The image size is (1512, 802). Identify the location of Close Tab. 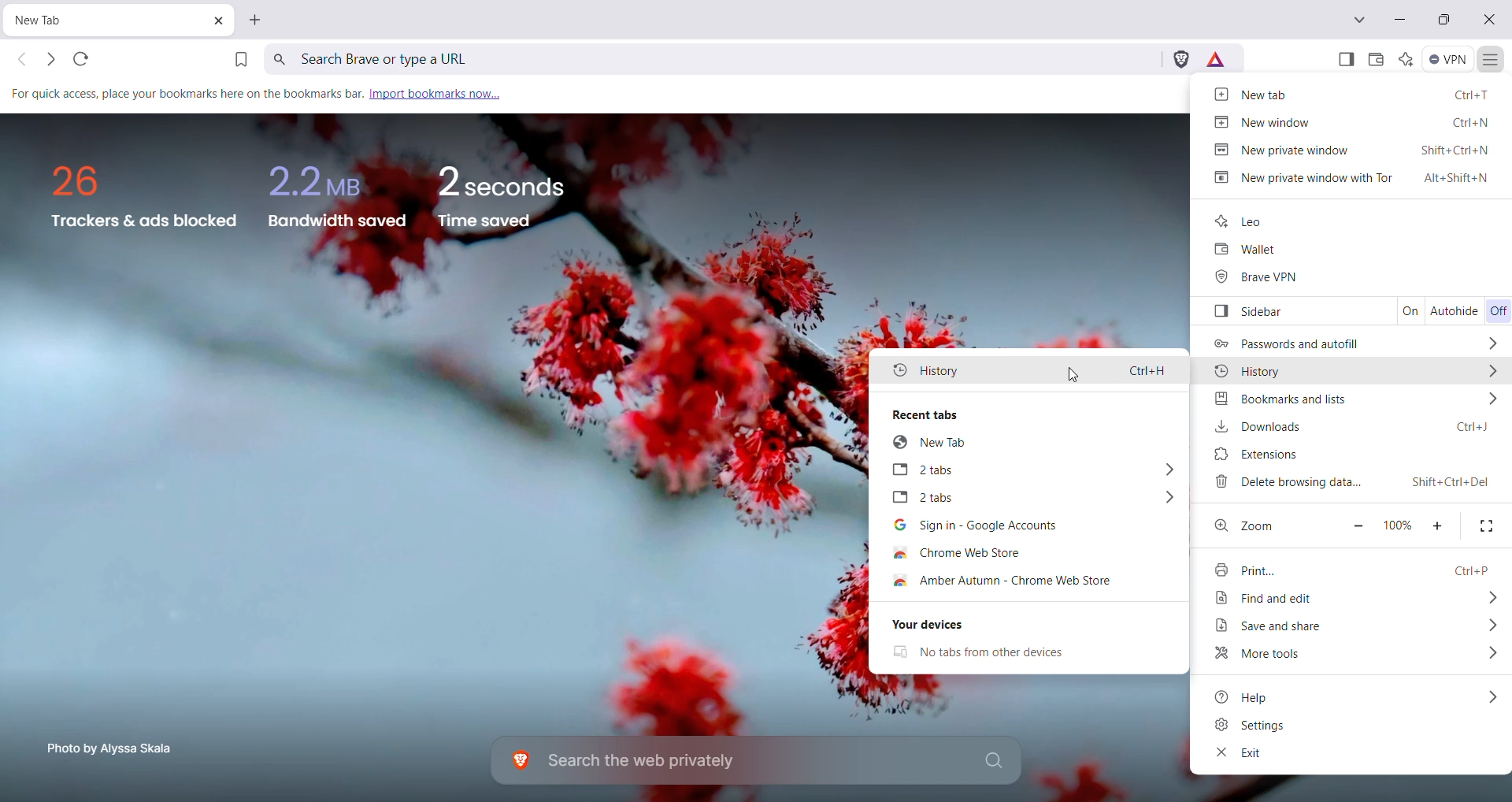
(213, 20).